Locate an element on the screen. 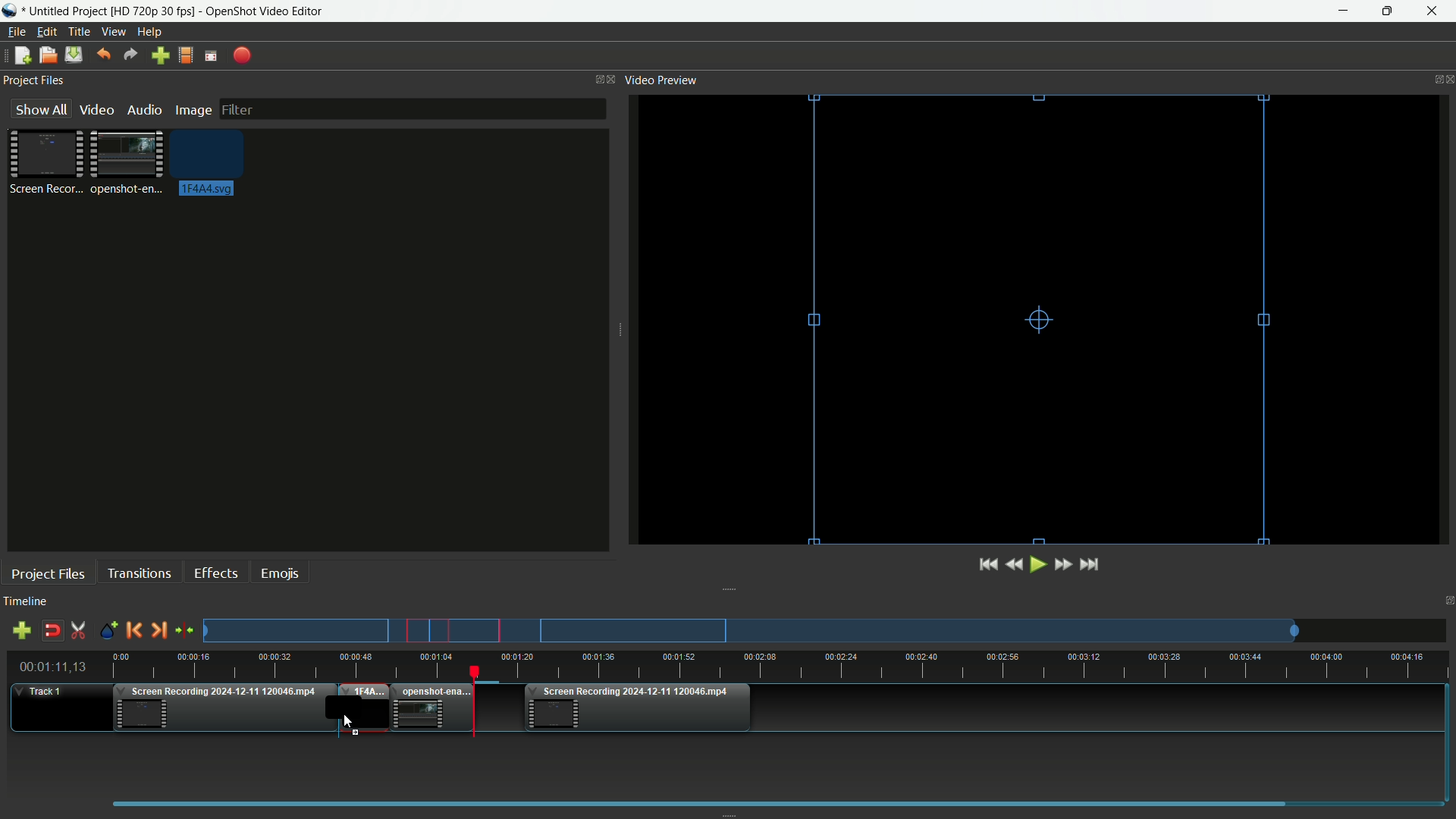 The width and height of the screenshot is (1456, 819). Quick play forward is located at coordinates (1062, 564).